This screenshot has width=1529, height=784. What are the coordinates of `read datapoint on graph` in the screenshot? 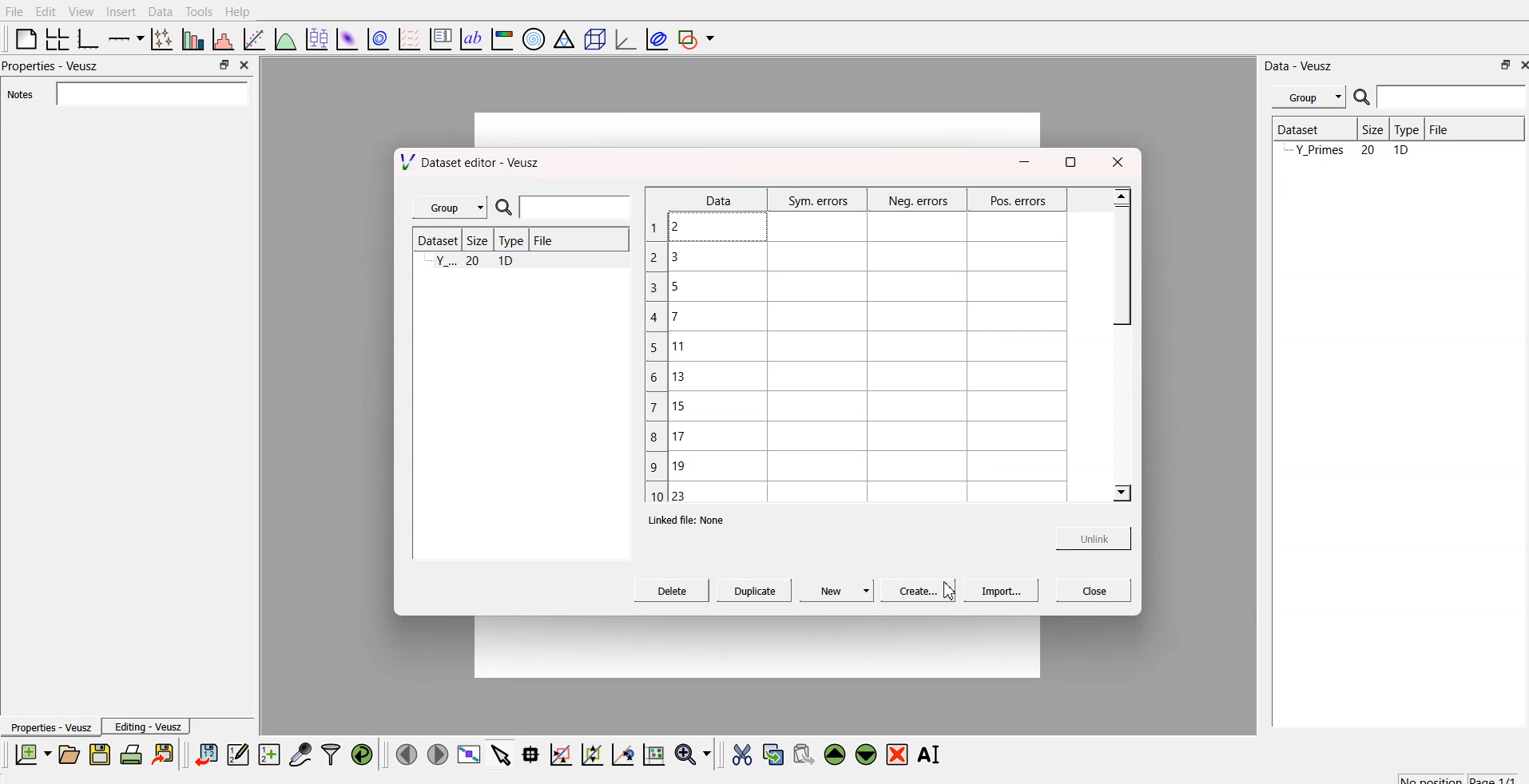 It's located at (529, 754).